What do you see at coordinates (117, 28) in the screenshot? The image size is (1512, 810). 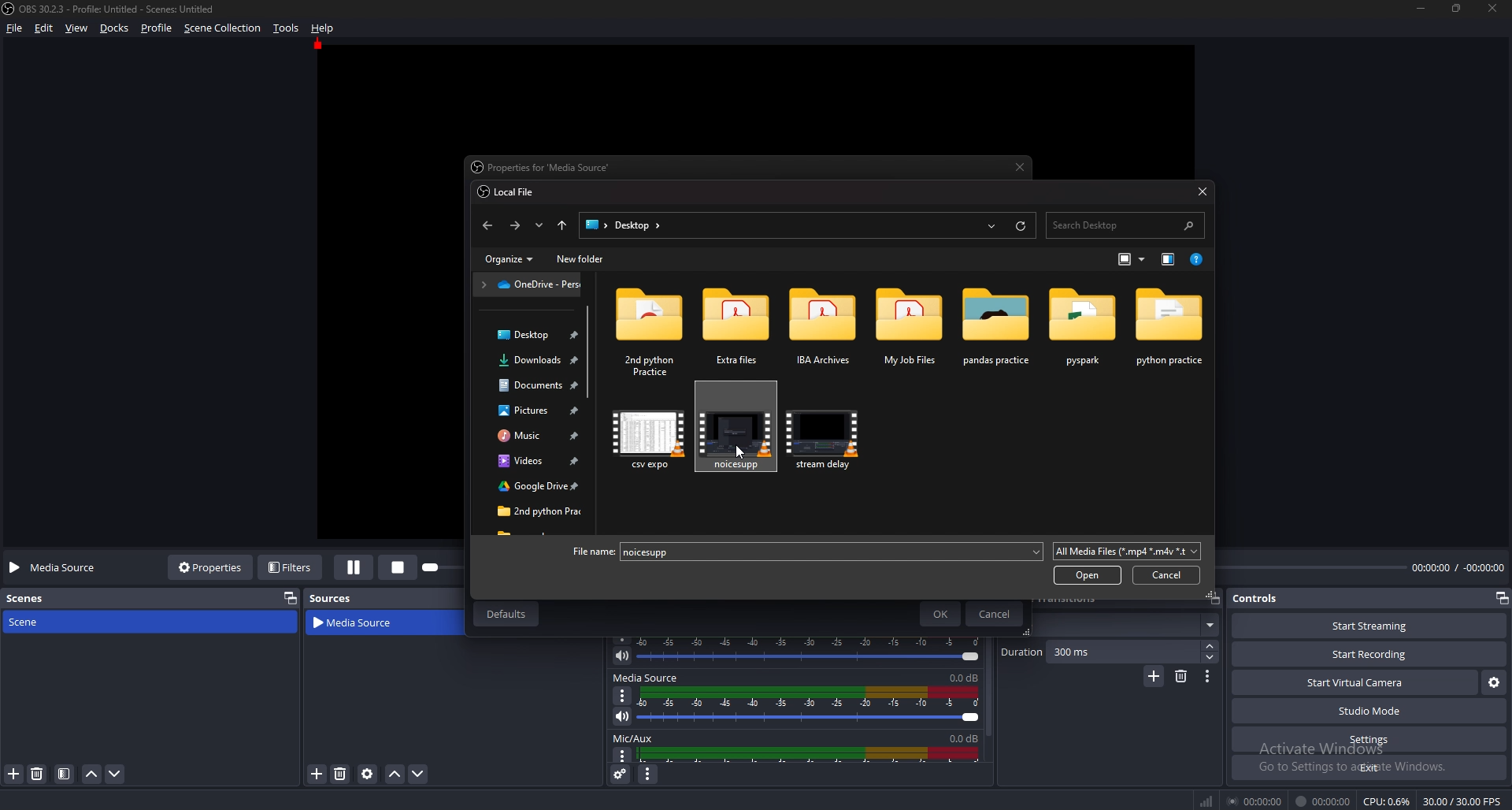 I see `Docks` at bounding box center [117, 28].